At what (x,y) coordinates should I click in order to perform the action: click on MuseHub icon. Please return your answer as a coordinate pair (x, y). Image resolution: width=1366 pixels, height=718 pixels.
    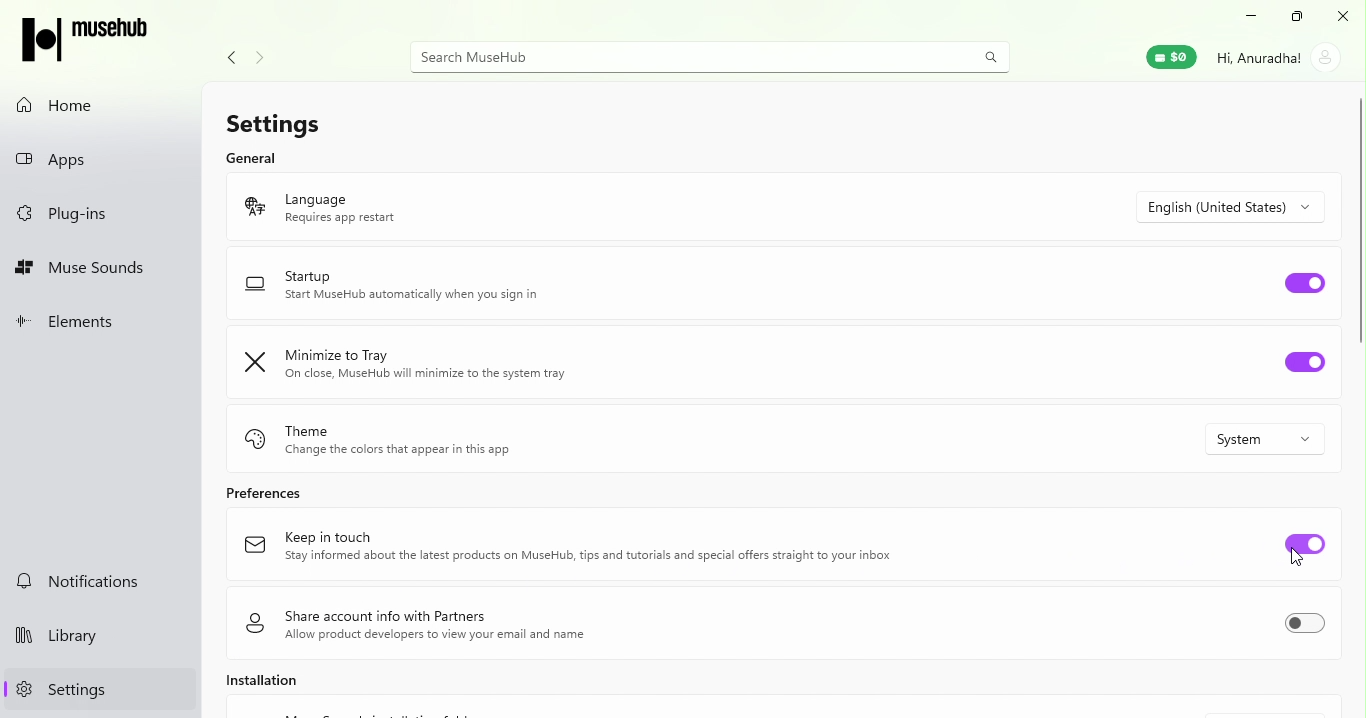
    Looking at the image, I should click on (86, 40).